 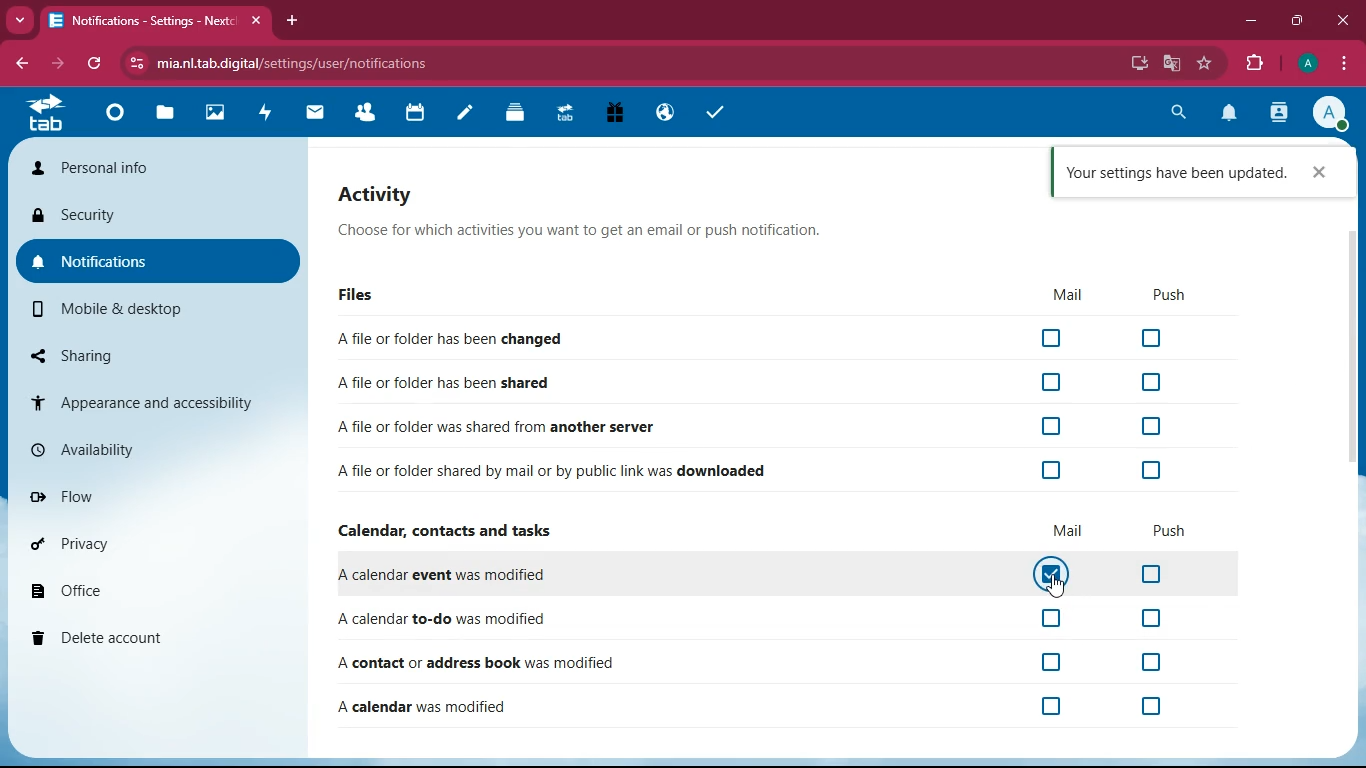 I want to click on activity, so click(x=266, y=115).